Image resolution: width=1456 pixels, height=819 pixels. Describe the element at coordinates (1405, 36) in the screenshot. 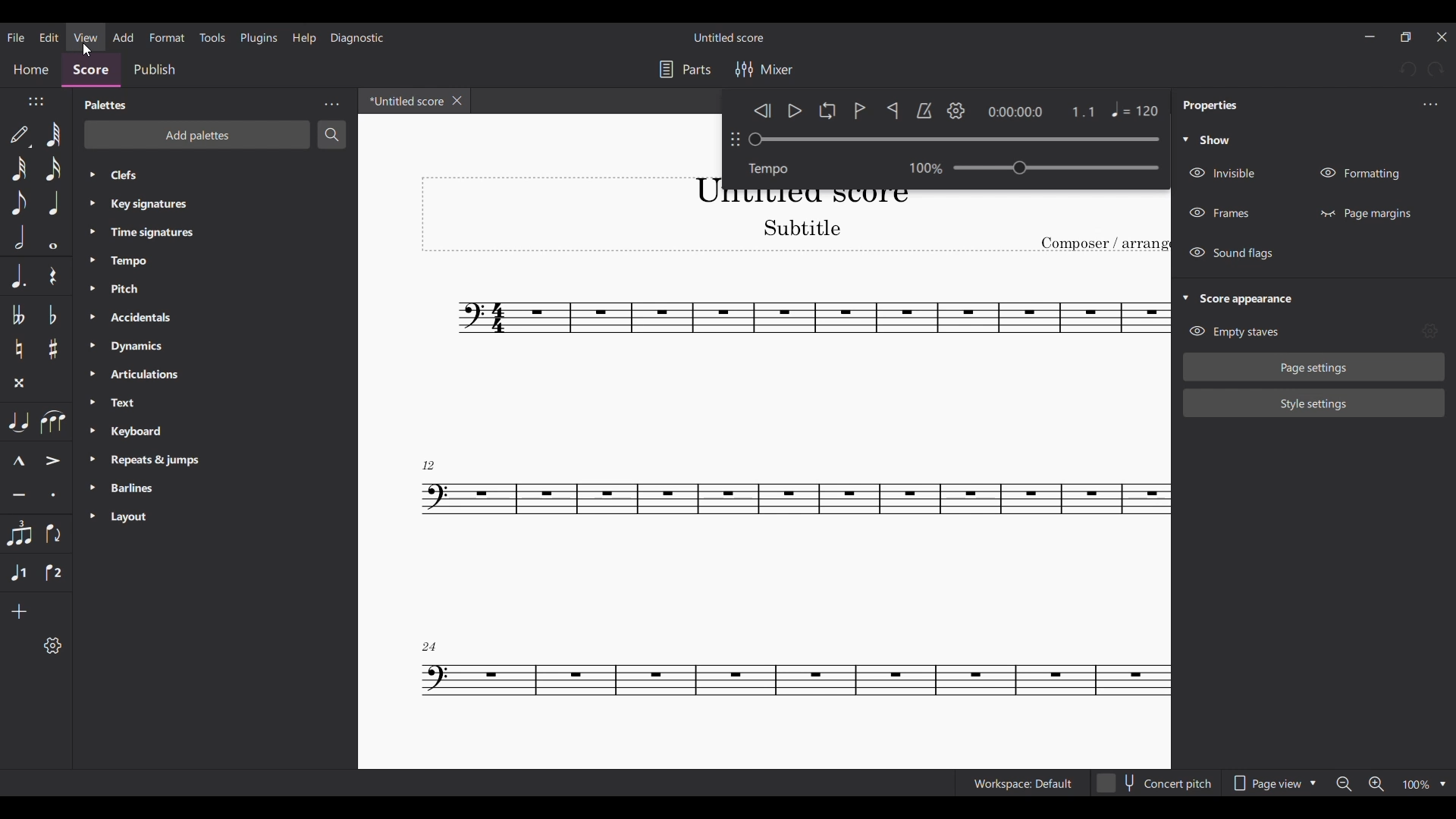

I see `Show interface in smaller tab` at that location.